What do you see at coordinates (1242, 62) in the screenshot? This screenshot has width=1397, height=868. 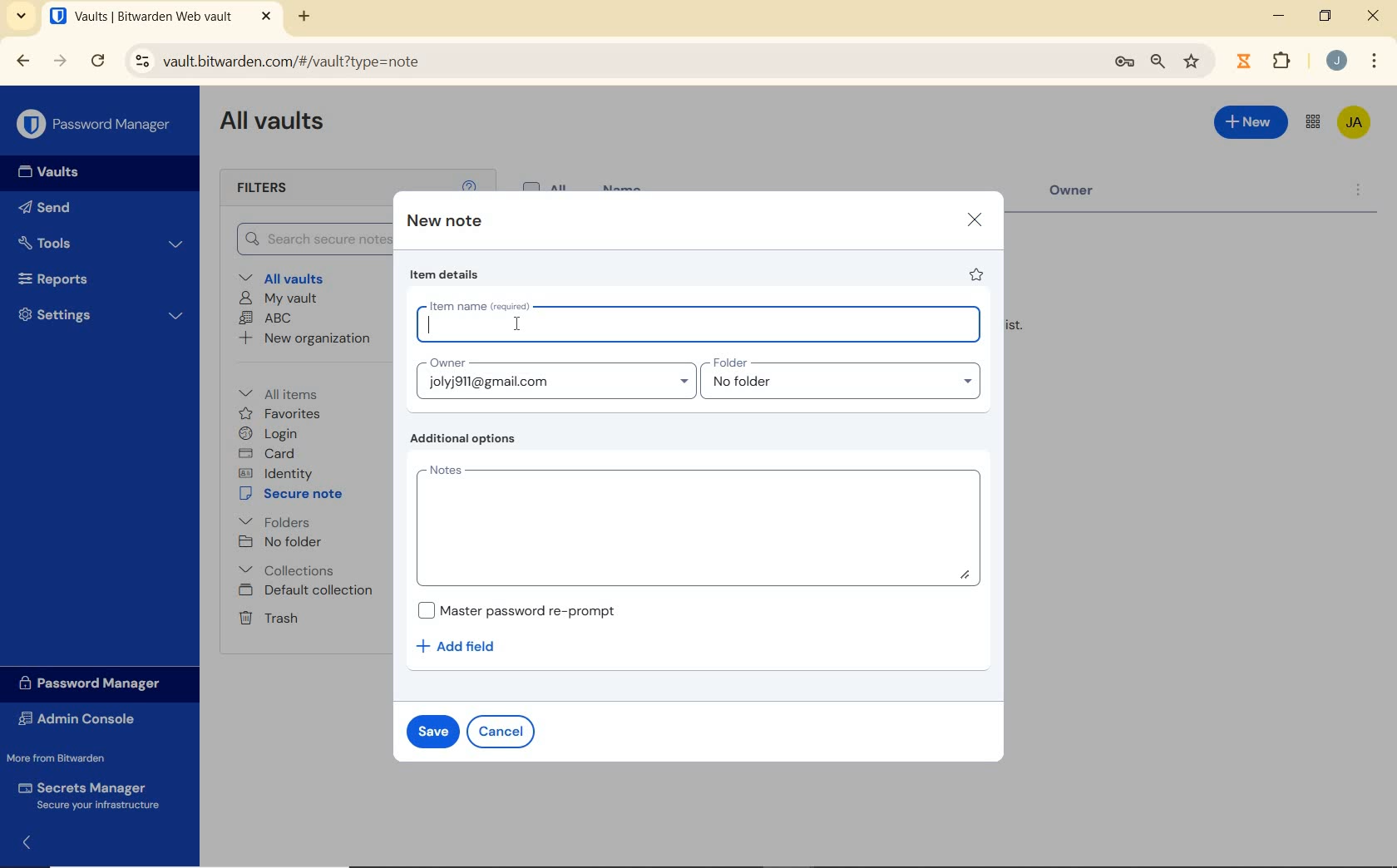 I see `extensions` at bounding box center [1242, 62].